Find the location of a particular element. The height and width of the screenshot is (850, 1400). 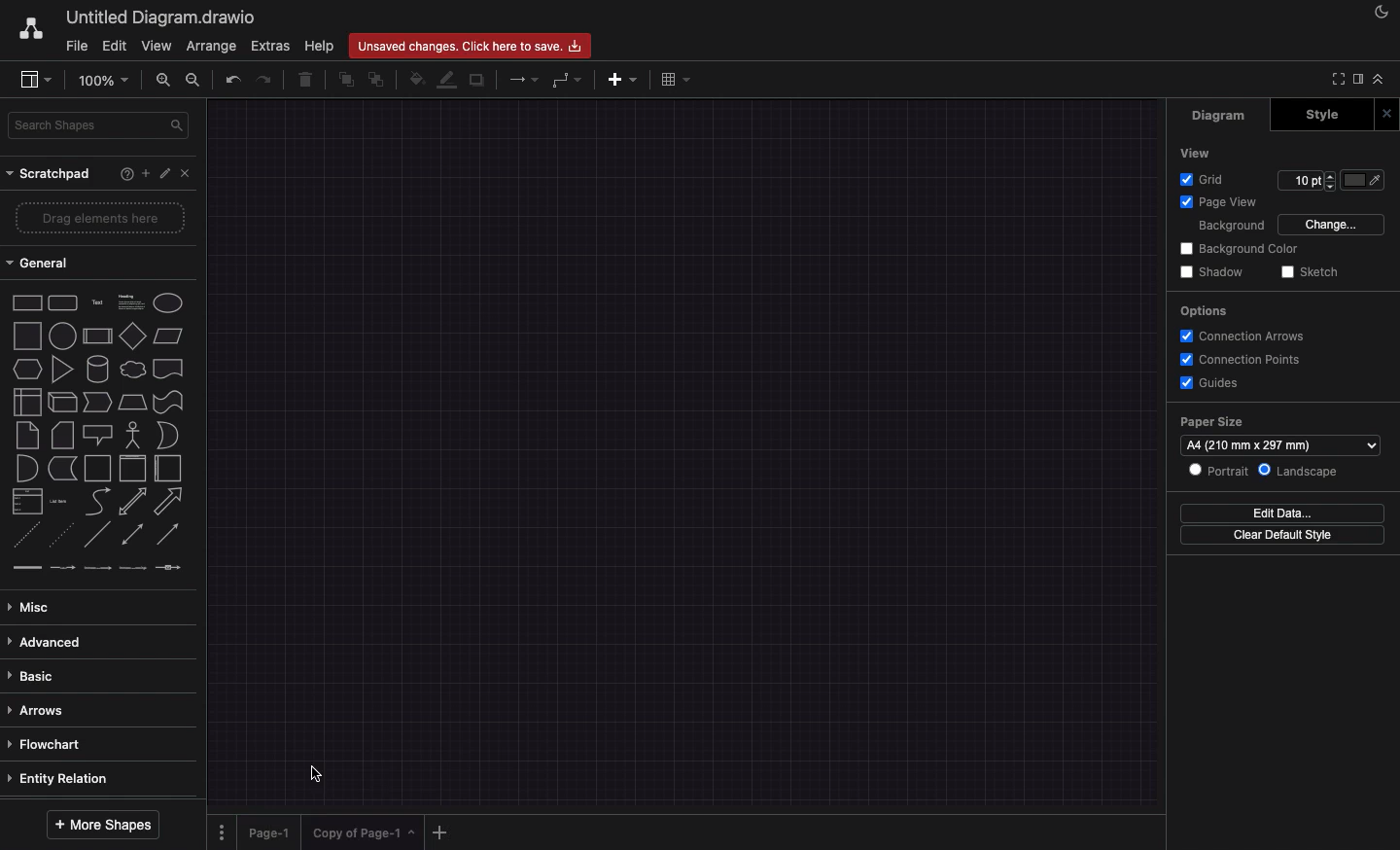

step is located at coordinates (98, 402).